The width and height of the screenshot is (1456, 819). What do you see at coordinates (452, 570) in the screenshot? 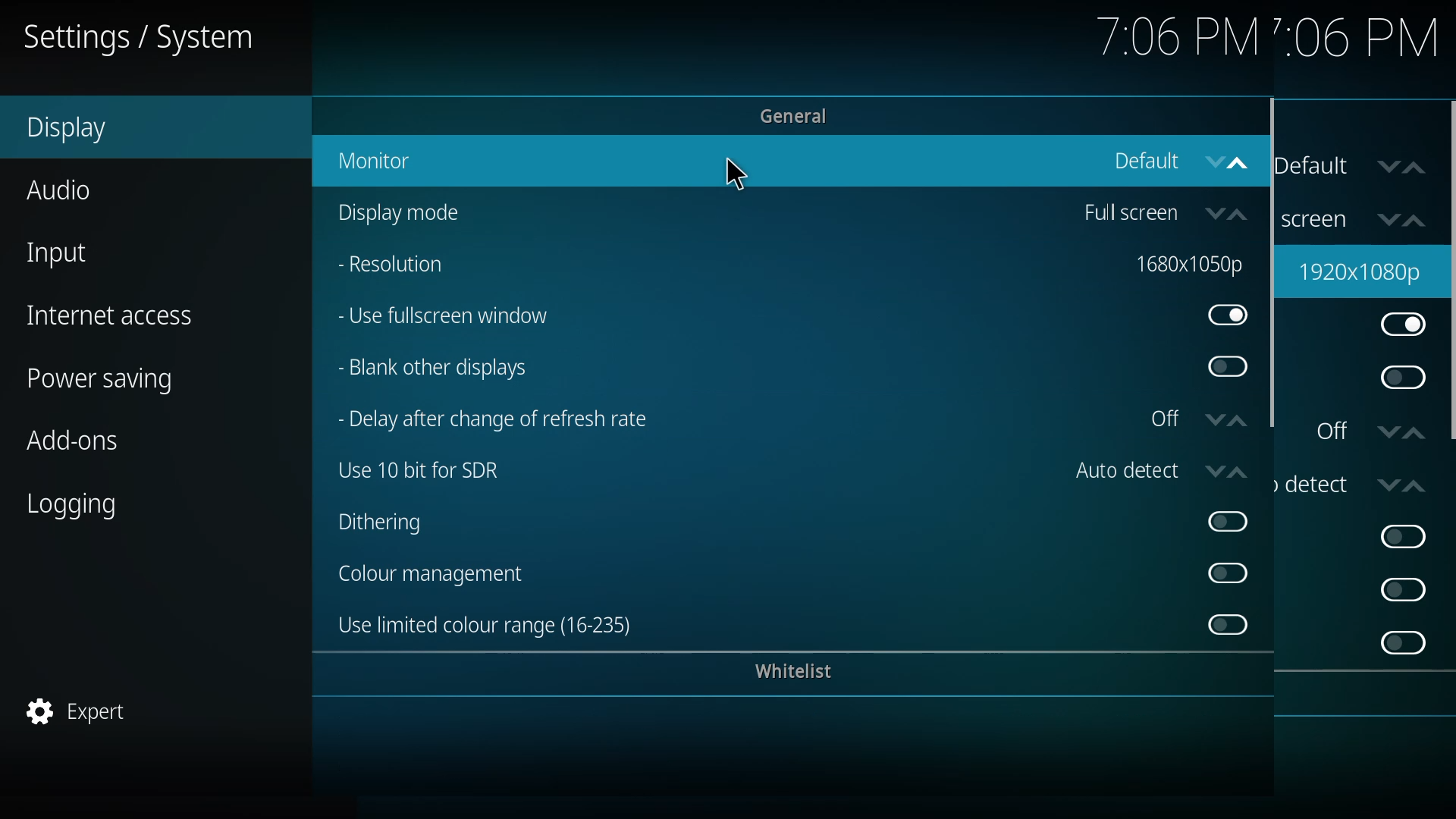
I see `color management` at bounding box center [452, 570].